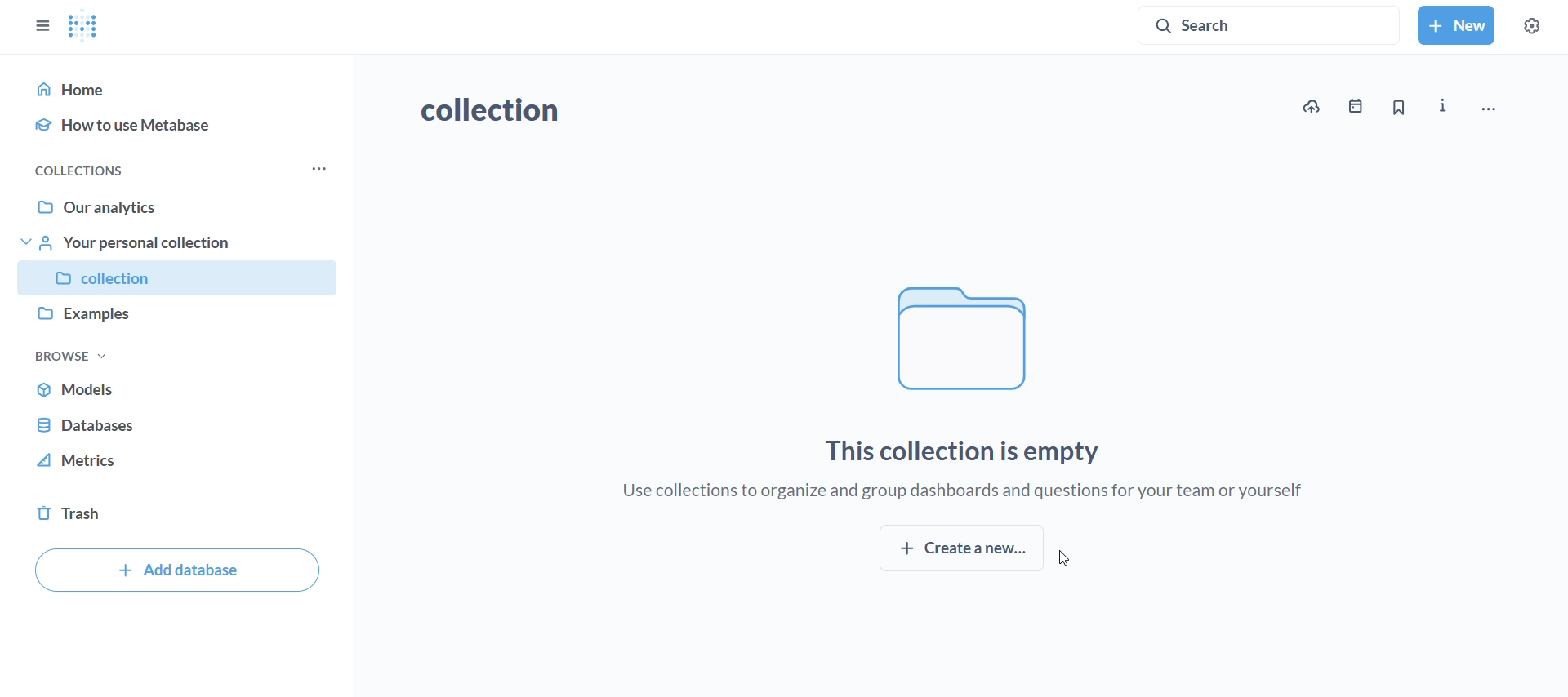 This screenshot has width=1568, height=697. What do you see at coordinates (178, 390) in the screenshot?
I see `models` at bounding box center [178, 390].